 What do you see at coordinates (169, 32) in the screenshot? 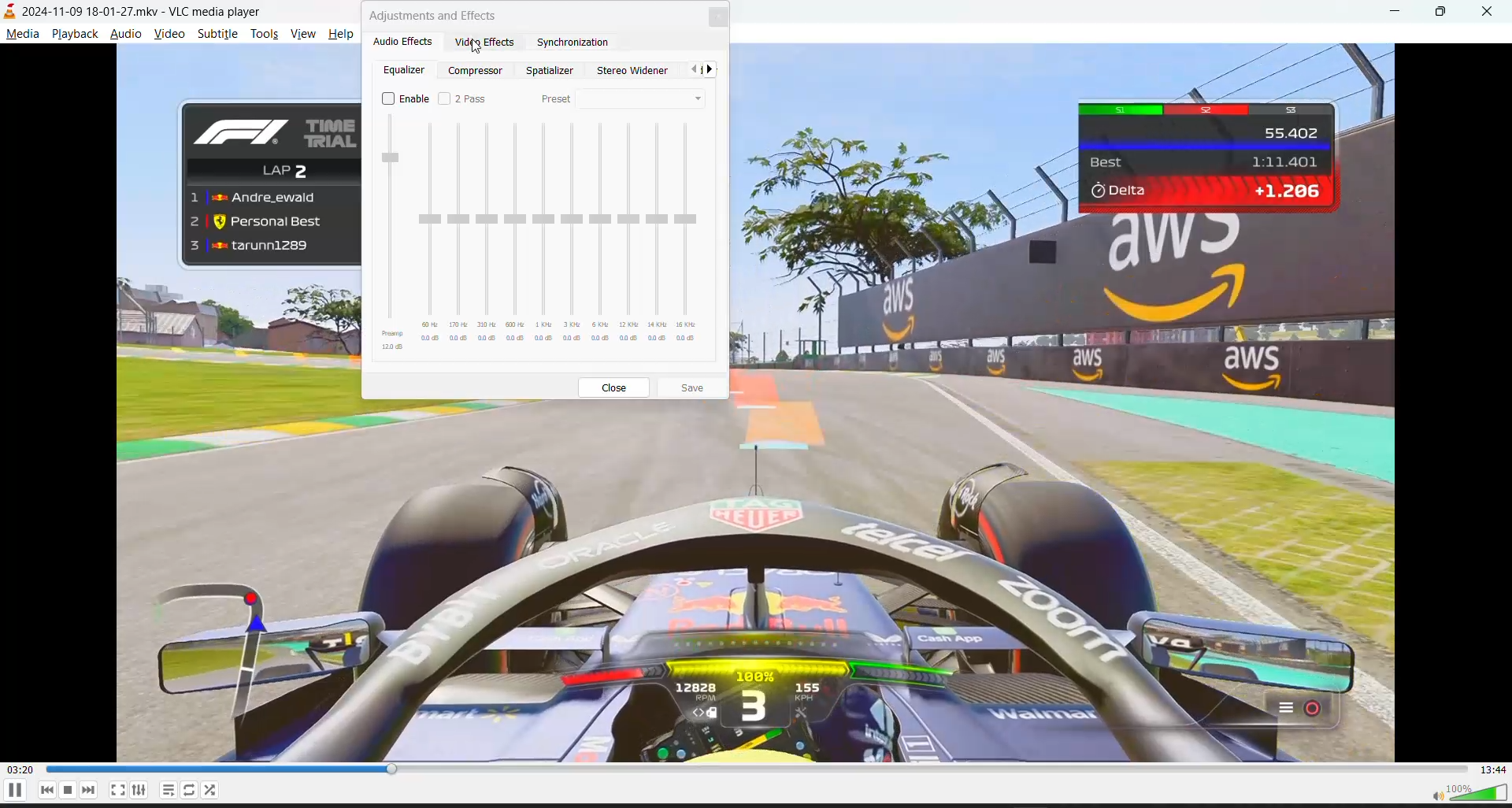
I see `video` at bounding box center [169, 32].